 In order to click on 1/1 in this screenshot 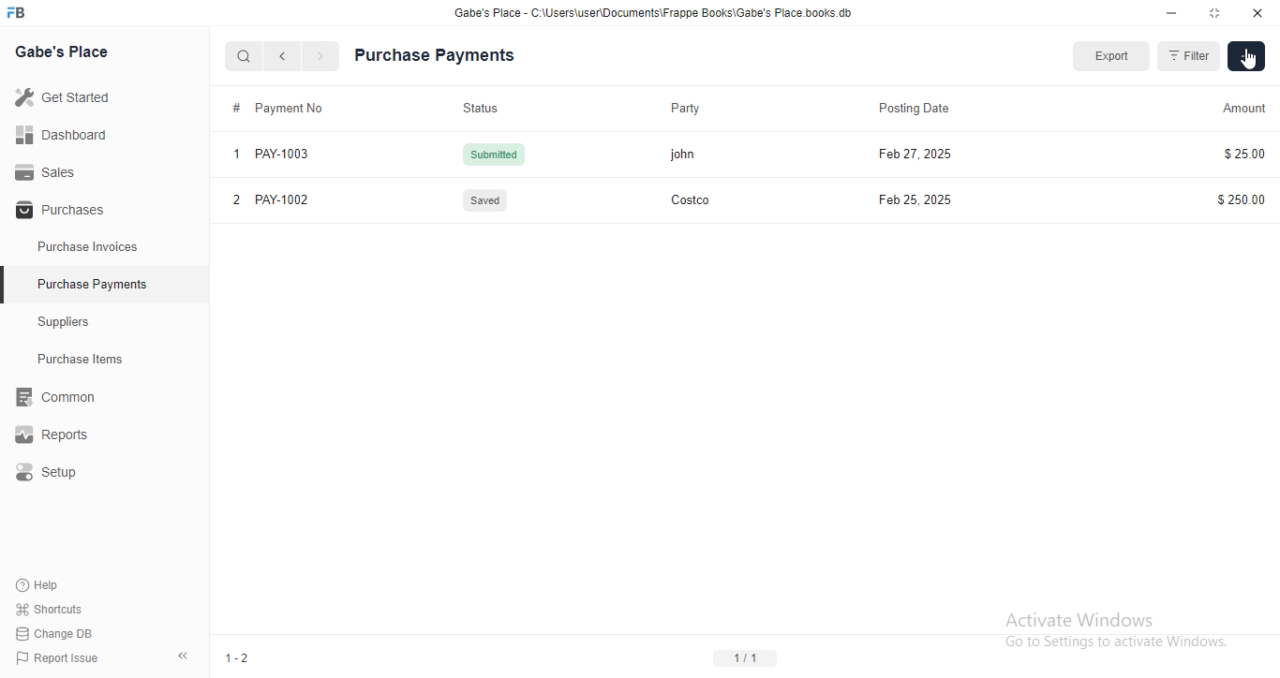, I will do `click(746, 659)`.